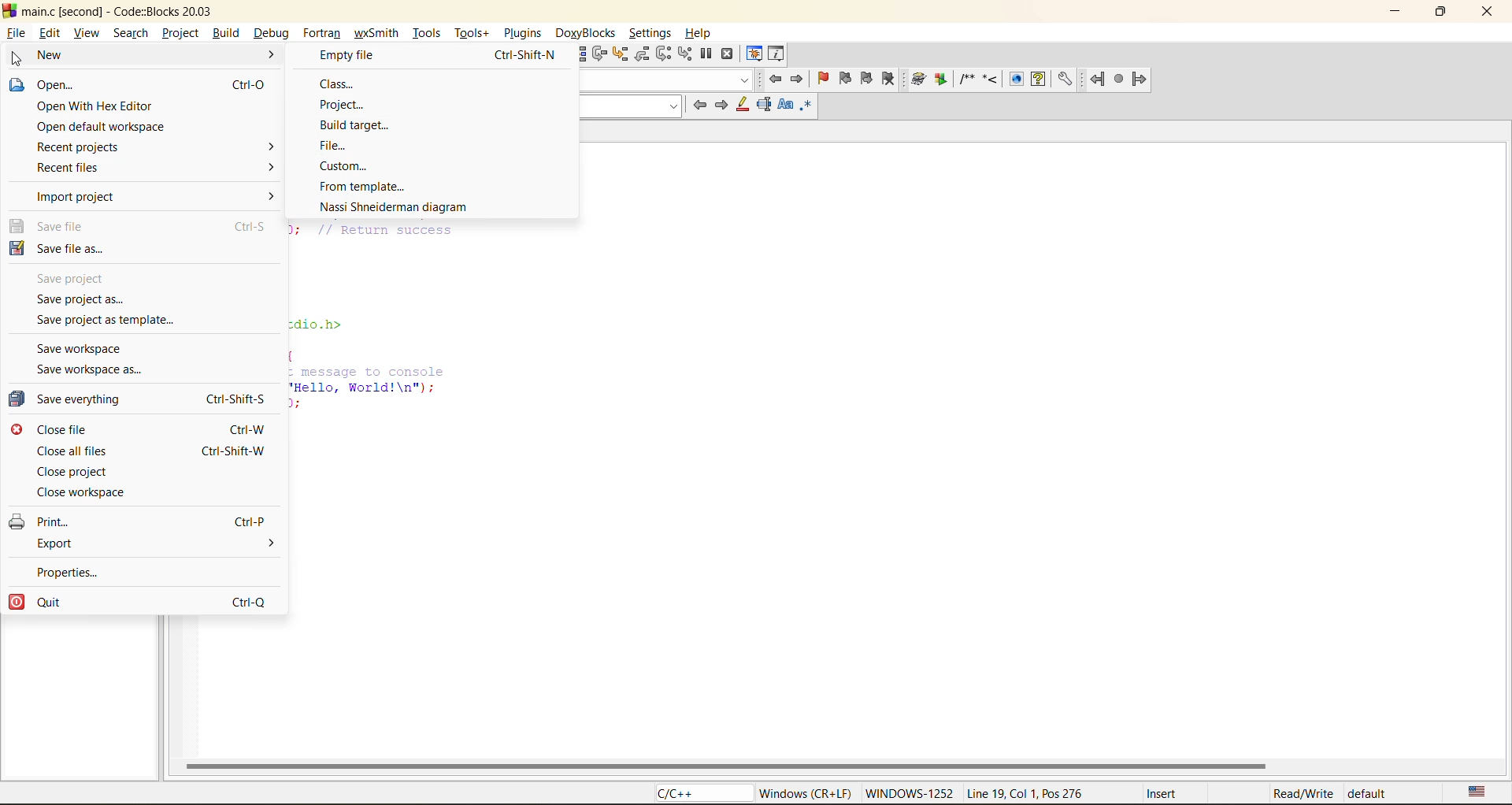 This screenshot has height=805, width=1512. What do you see at coordinates (740, 106) in the screenshot?
I see `highlight` at bounding box center [740, 106].